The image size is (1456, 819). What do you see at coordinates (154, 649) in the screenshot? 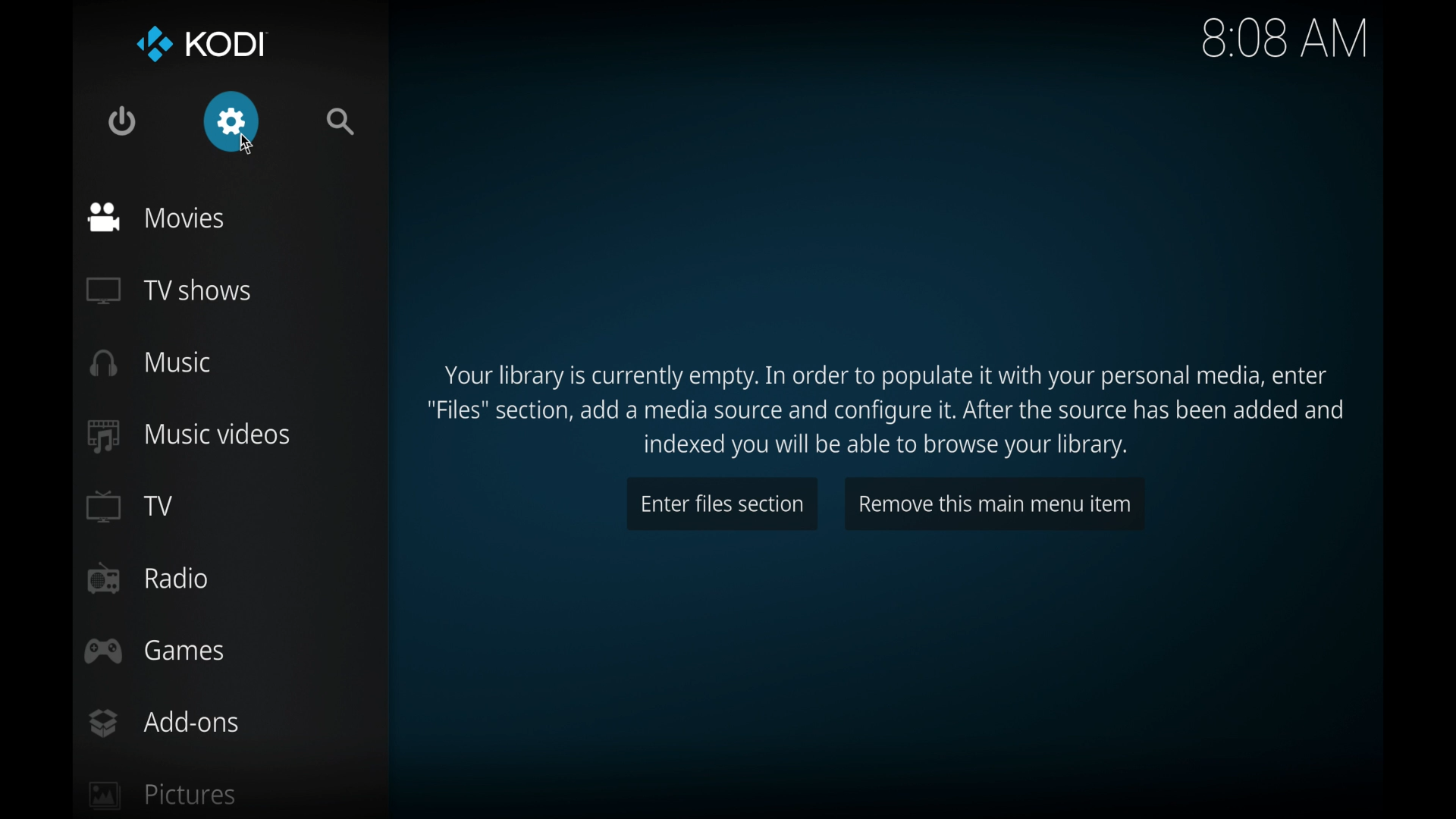
I see `games` at bounding box center [154, 649].